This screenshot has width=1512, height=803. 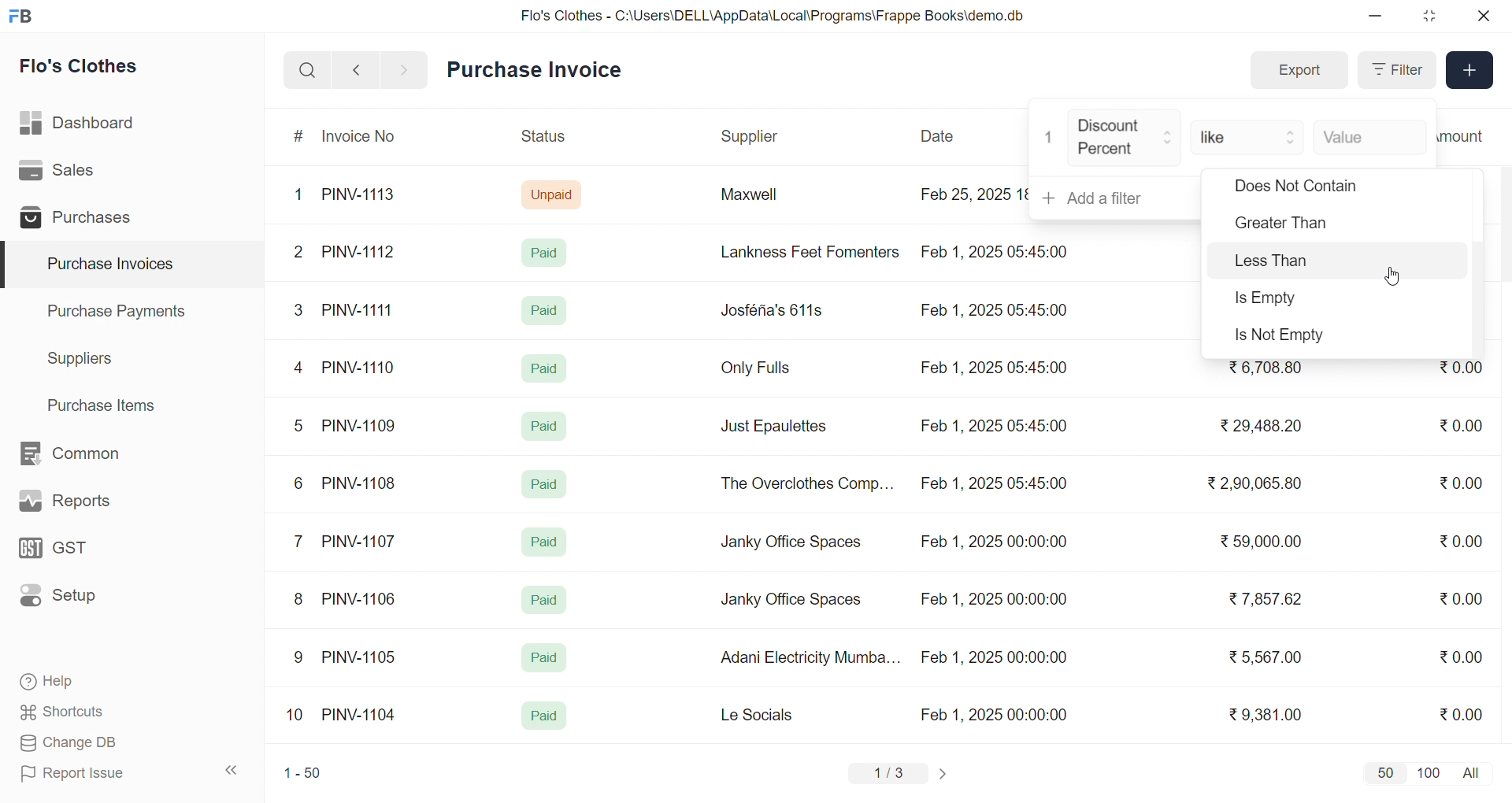 What do you see at coordinates (121, 310) in the screenshot?
I see `Purchase Payments` at bounding box center [121, 310].